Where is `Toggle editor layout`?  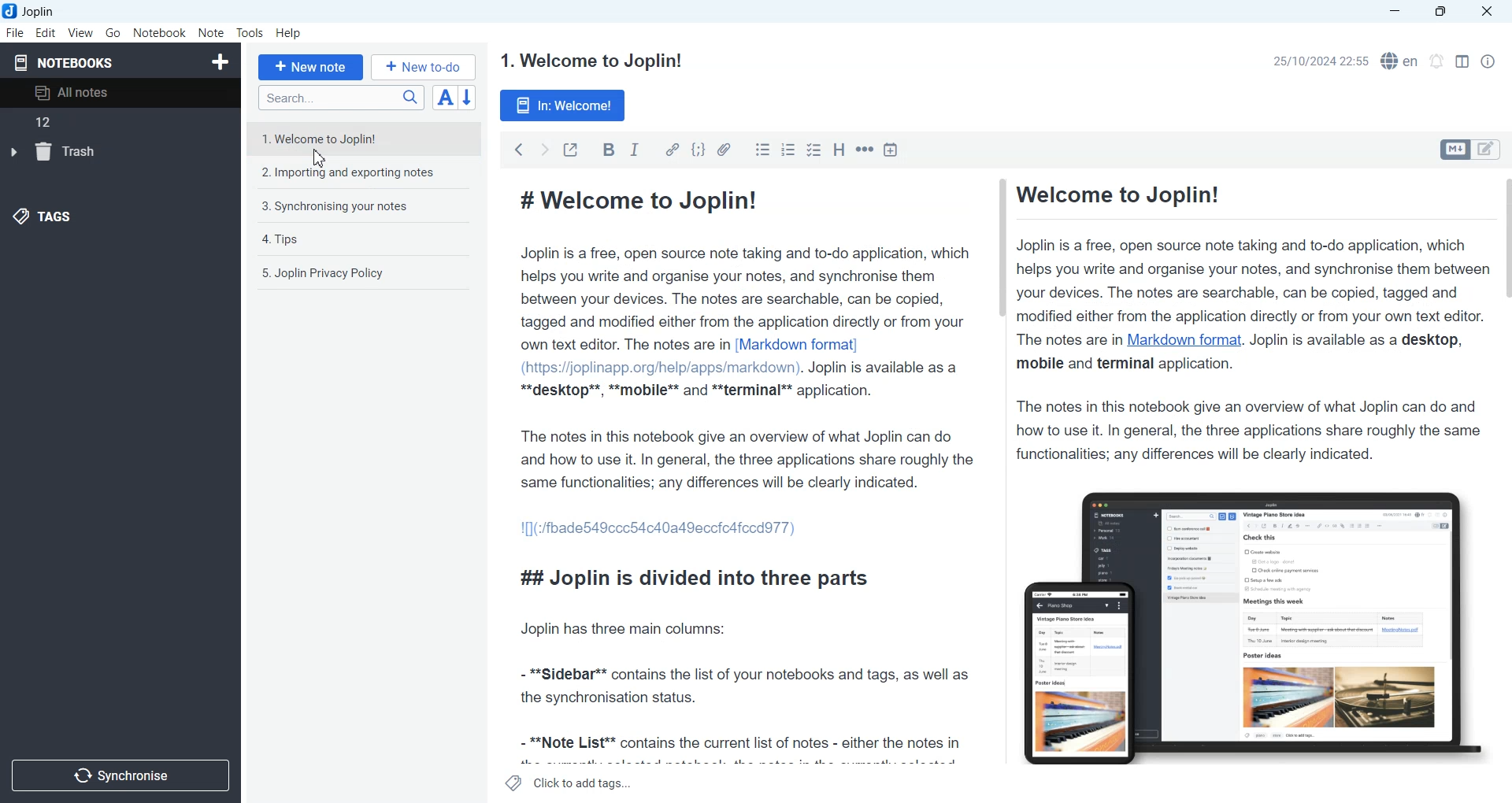
Toggle editor layout is located at coordinates (1462, 61).